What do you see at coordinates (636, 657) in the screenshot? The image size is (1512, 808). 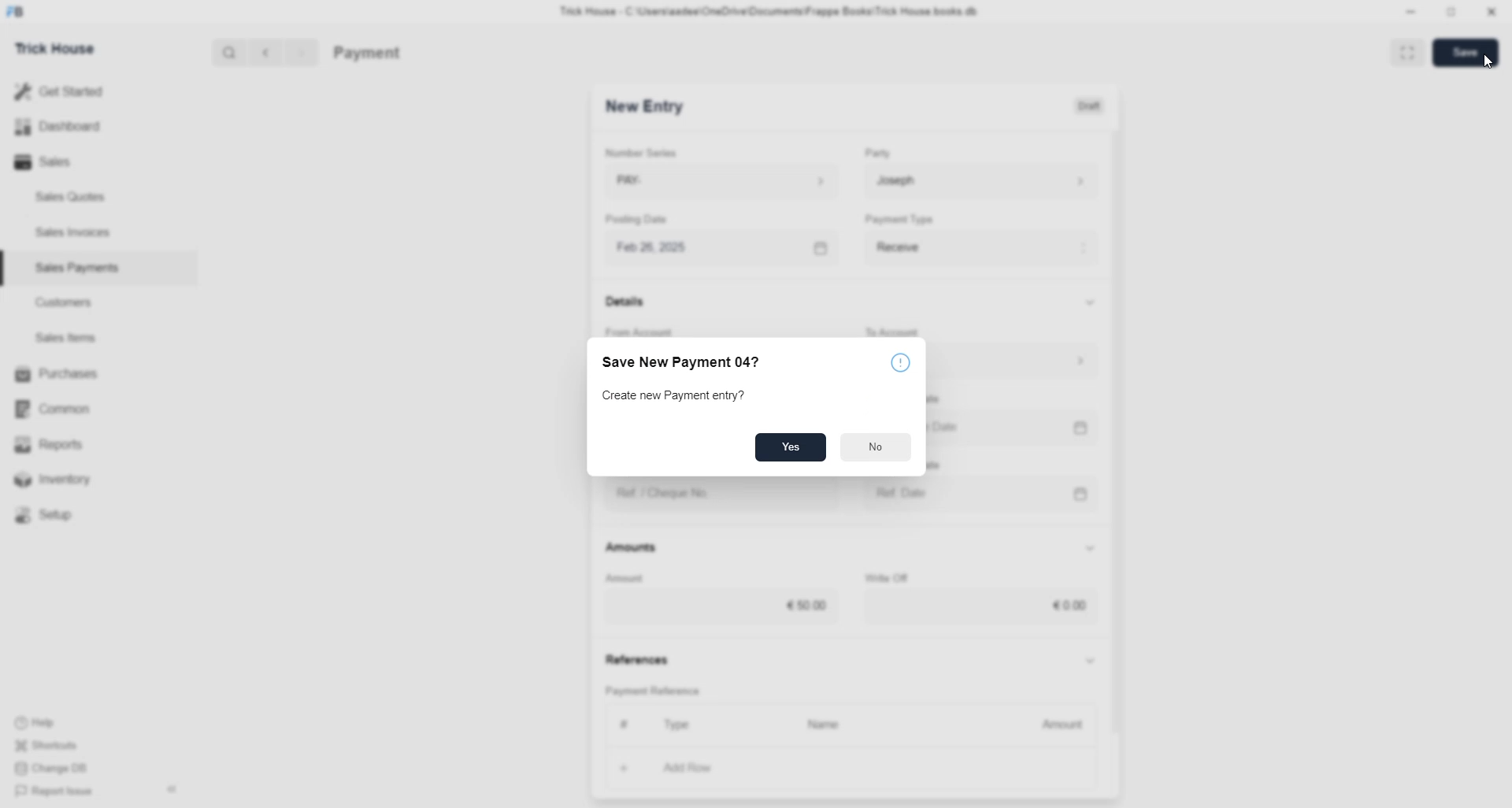 I see `References` at bounding box center [636, 657].